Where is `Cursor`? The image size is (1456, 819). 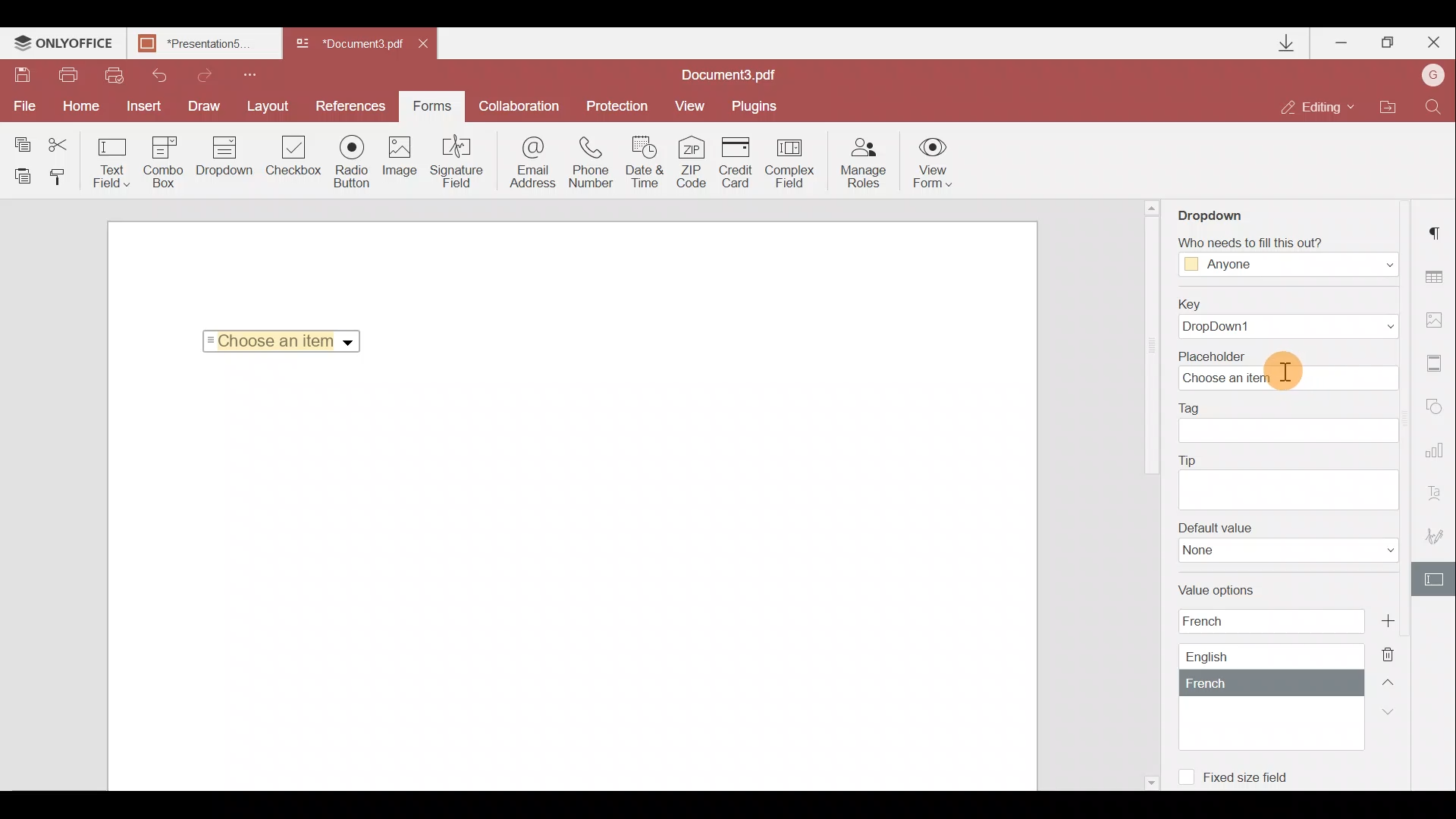 Cursor is located at coordinates (1283, 366).